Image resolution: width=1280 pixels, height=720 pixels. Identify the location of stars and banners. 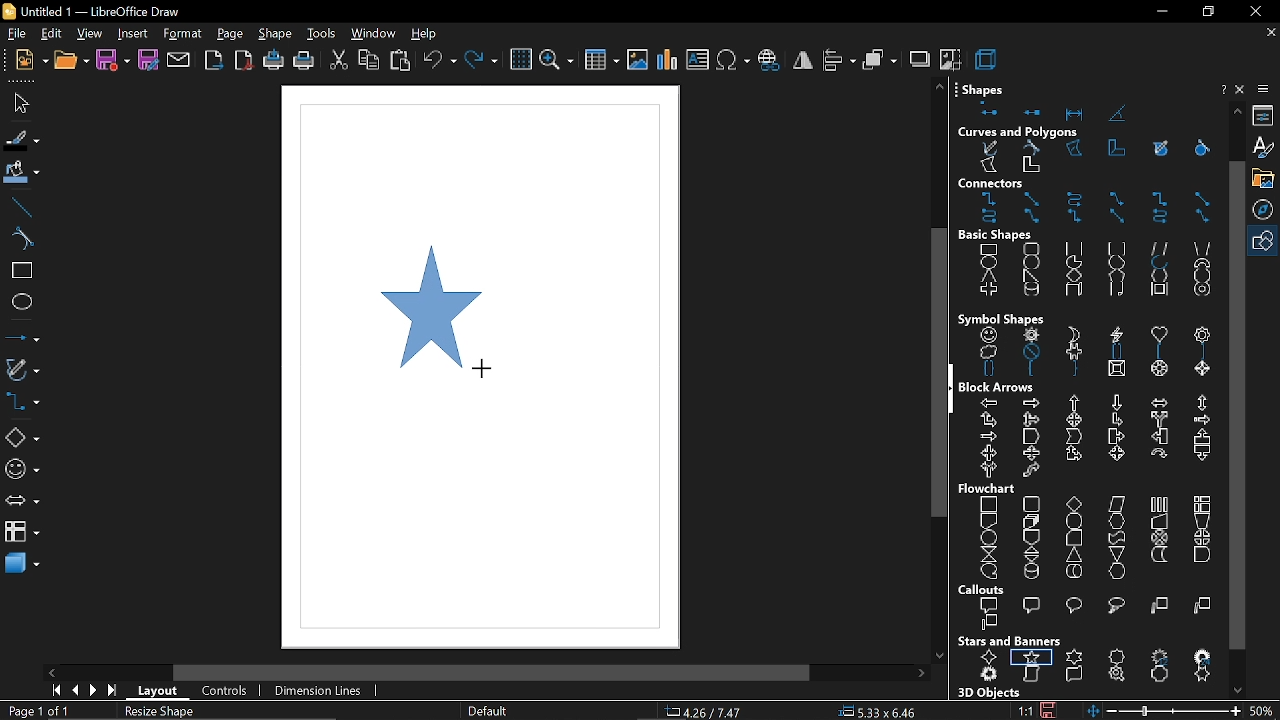
(1011, 641).